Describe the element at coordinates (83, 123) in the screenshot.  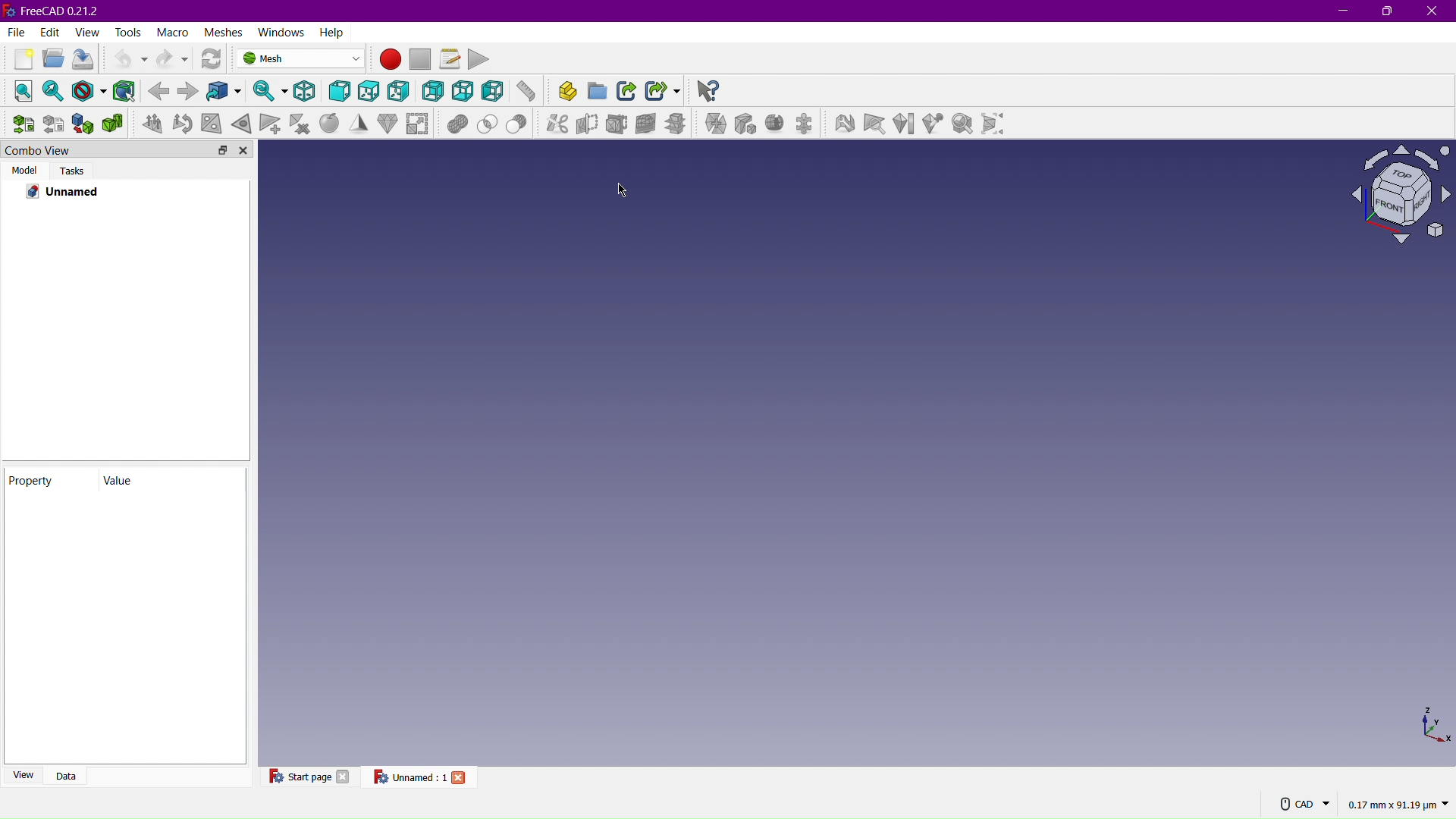
I see `Create mesh from solid` at that location.